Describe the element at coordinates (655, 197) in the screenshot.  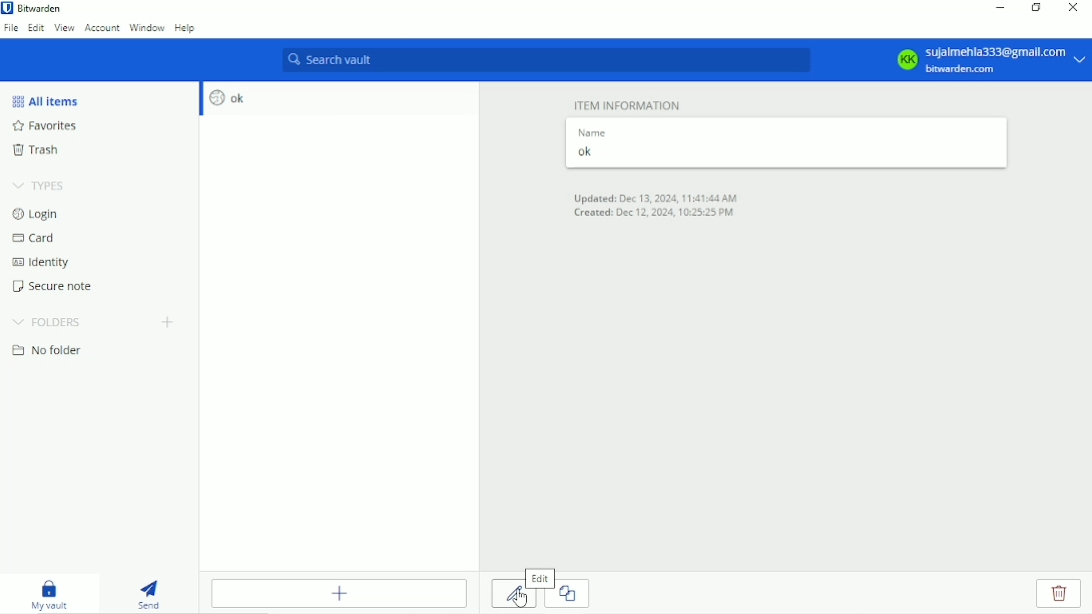
I see `Updated: Dec 13, 2024, 11:41:44 AM` at that location.